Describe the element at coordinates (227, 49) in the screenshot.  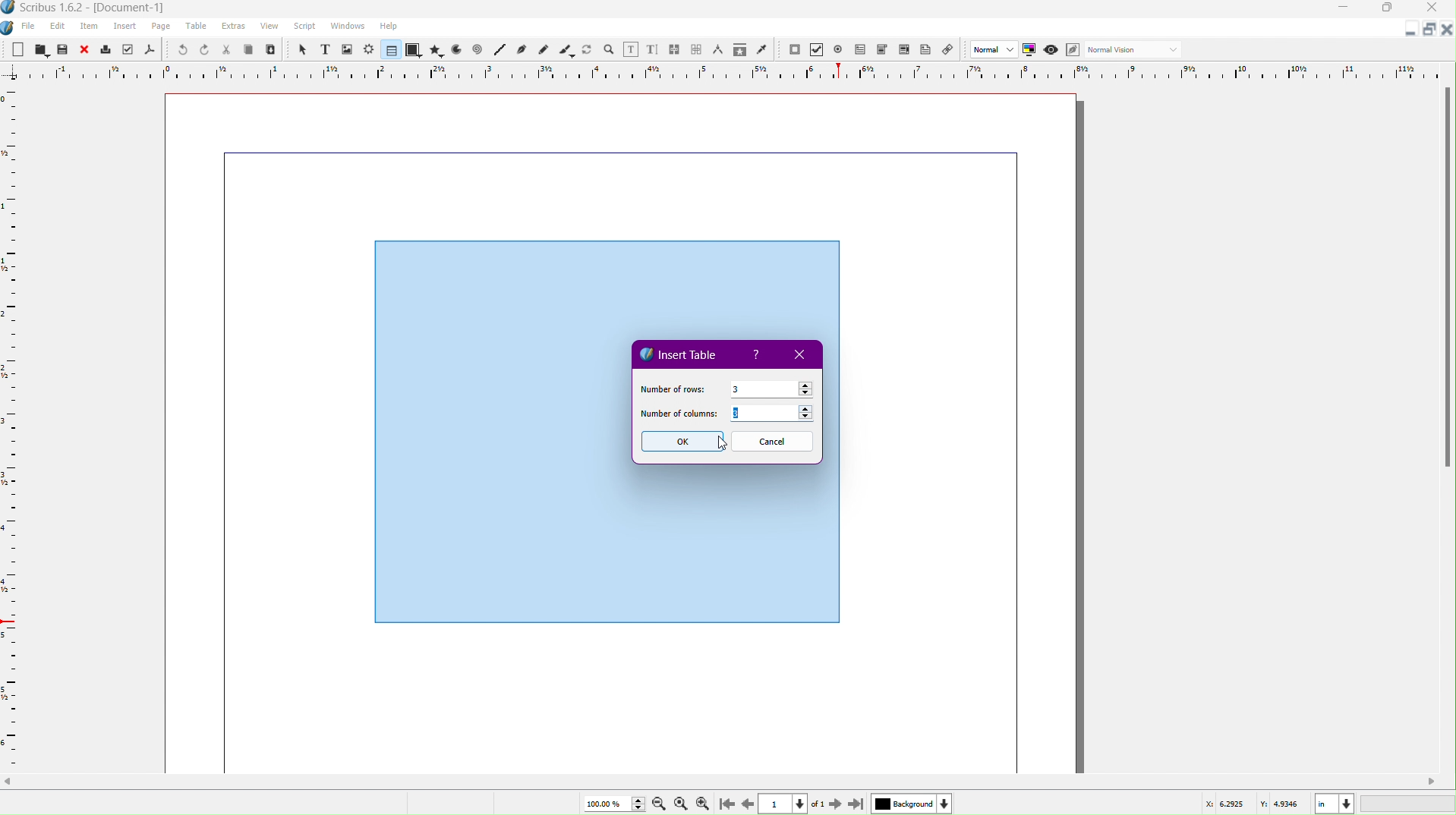
I see `Cut` at that location.